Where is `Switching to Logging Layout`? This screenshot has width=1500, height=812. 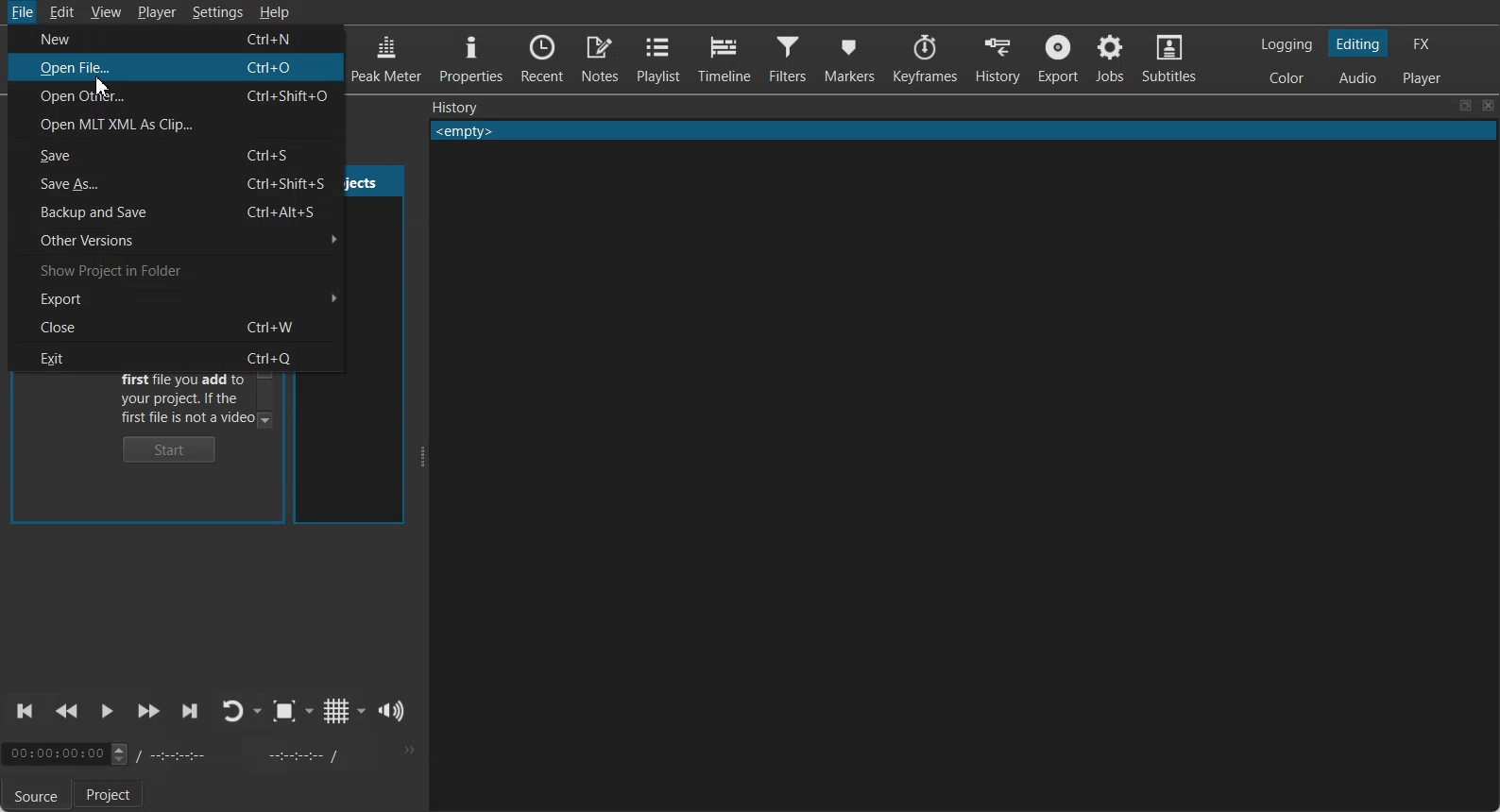 Switching to Logging Layout is located at coordinates (1286, 44).